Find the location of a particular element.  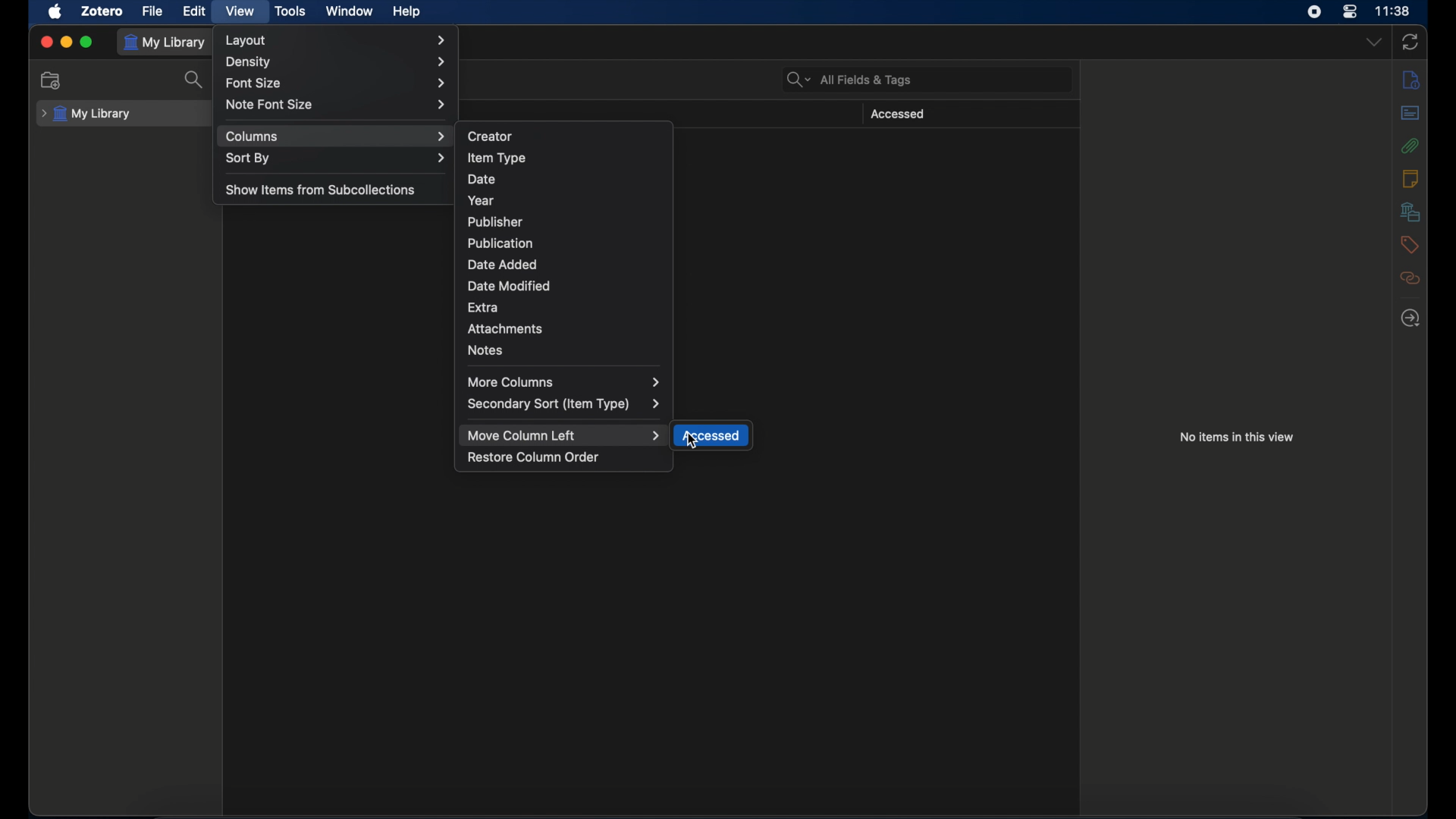

my library is located at coordinates (167, 42).